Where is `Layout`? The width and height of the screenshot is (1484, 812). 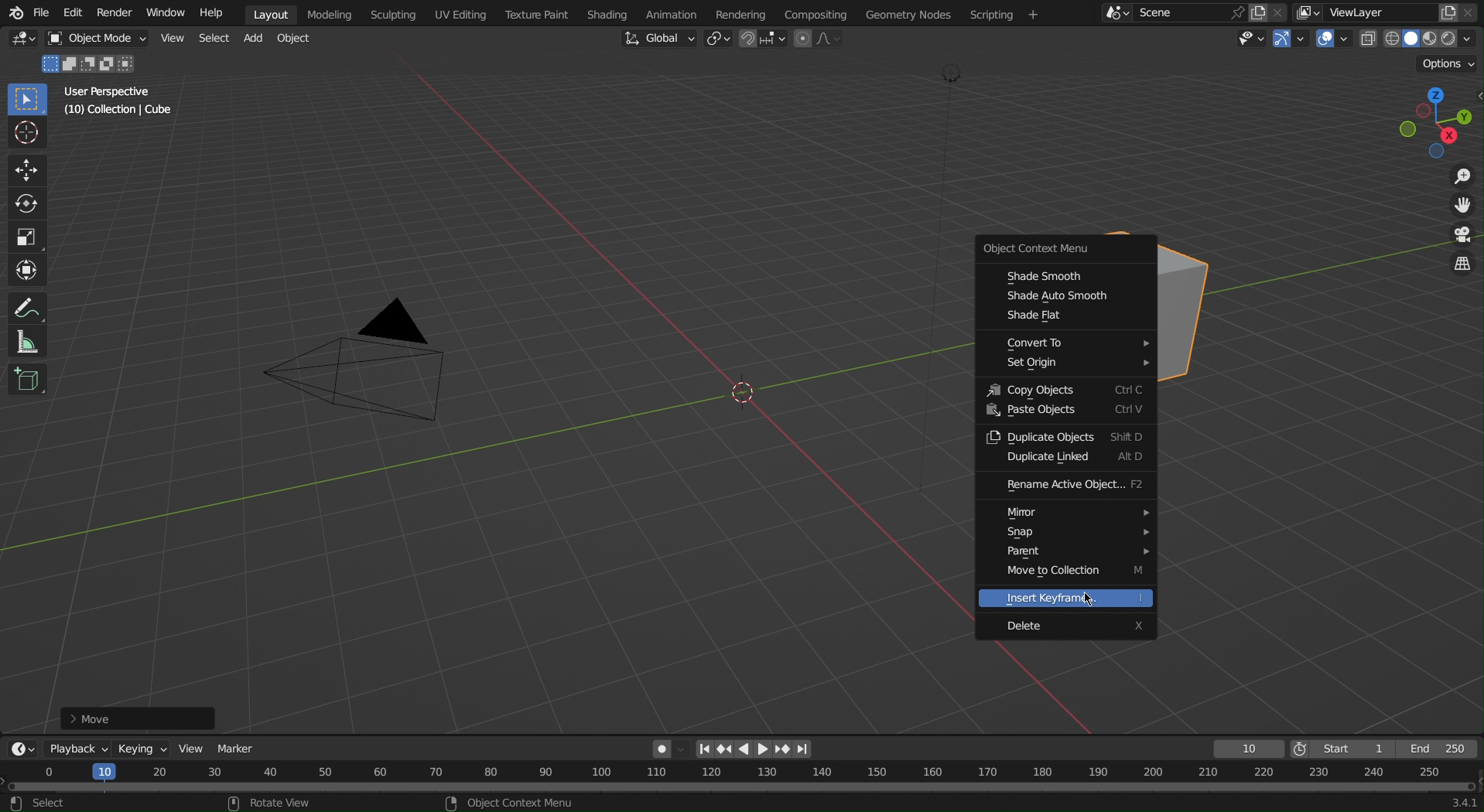 Layout is located at coordinates (274, 12).